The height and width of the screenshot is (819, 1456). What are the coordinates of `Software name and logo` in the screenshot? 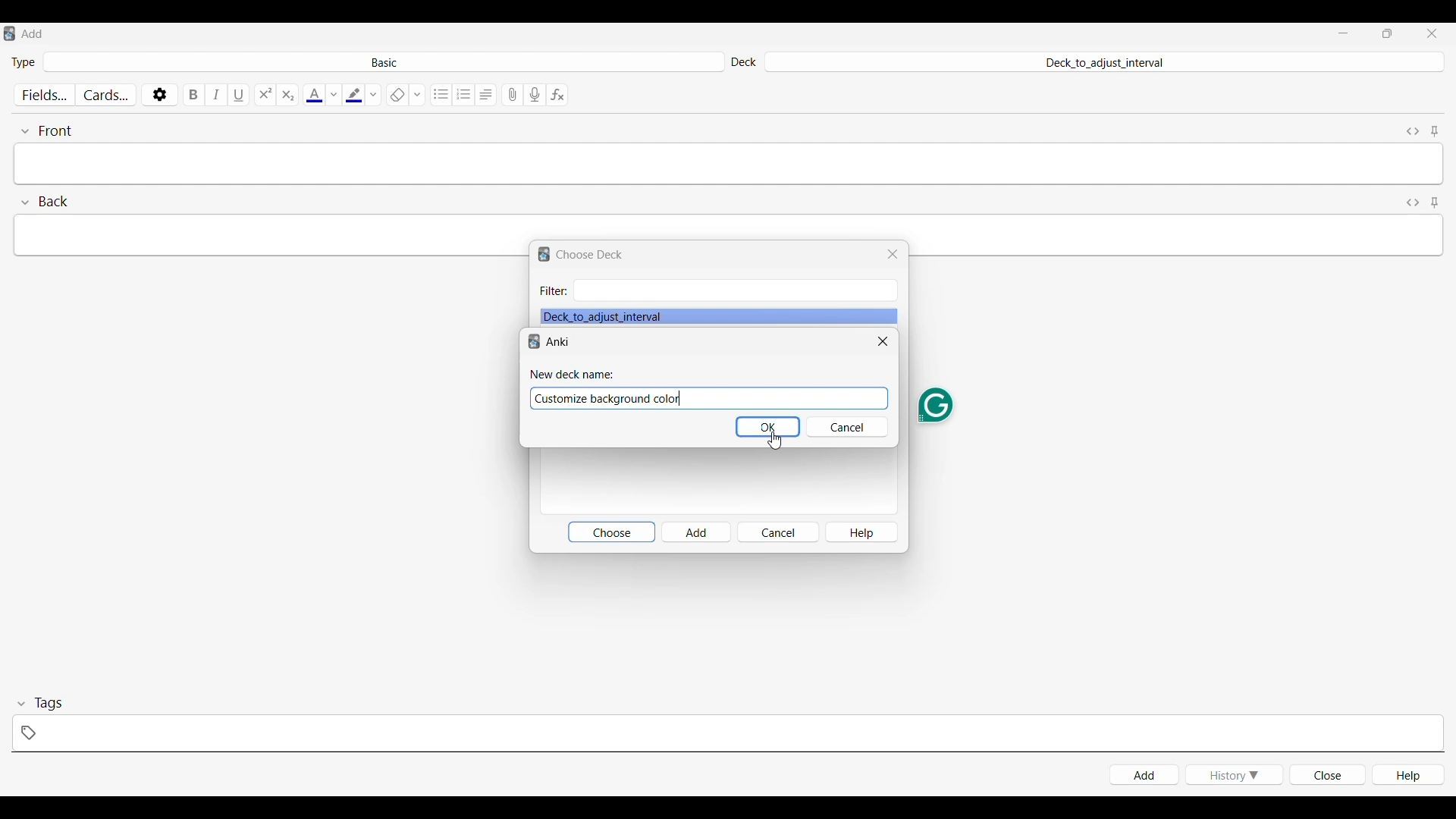 It's located at (550, 341).